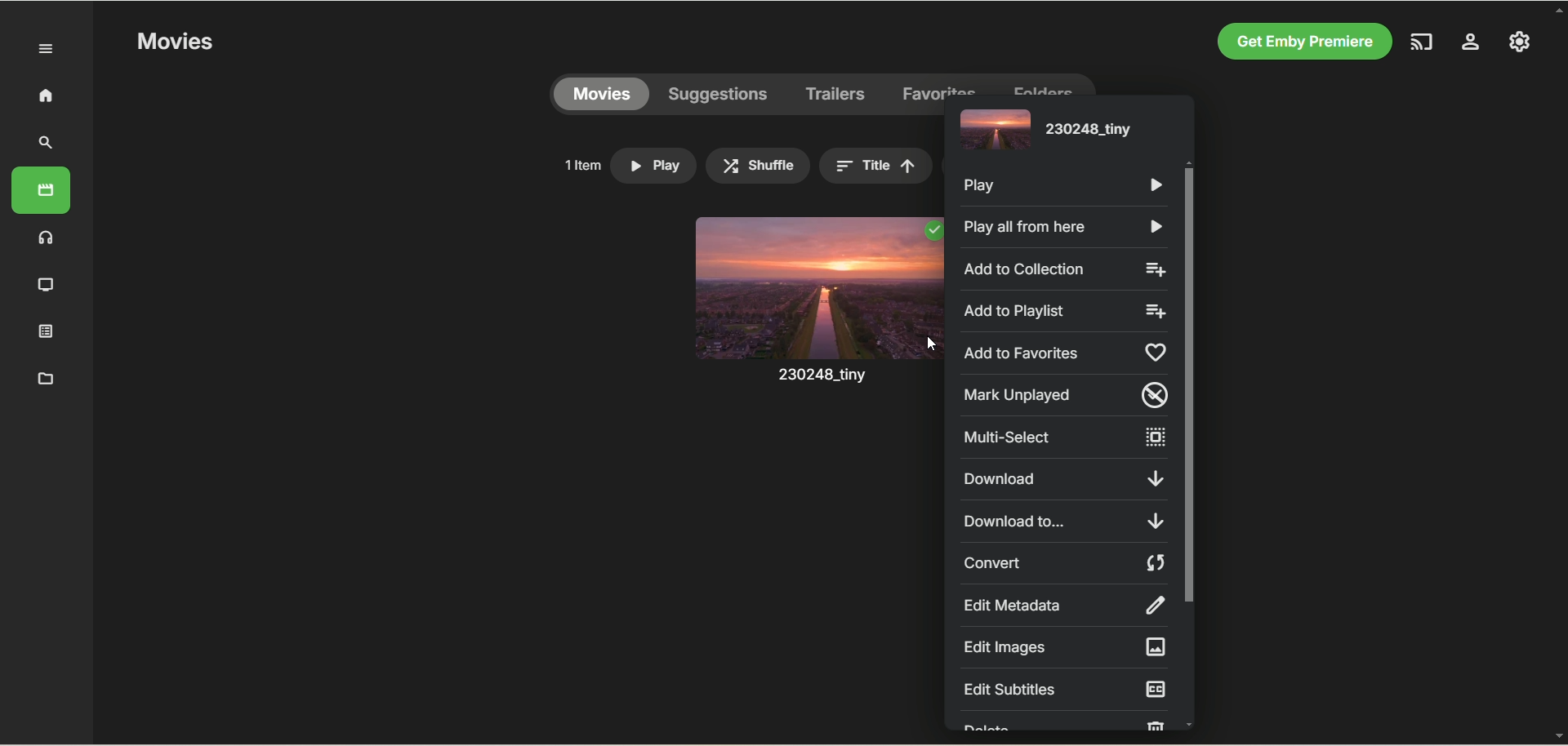  Describe the element at coordinates (42, 377) in the screenshot. I see `metadata manager` at that location.